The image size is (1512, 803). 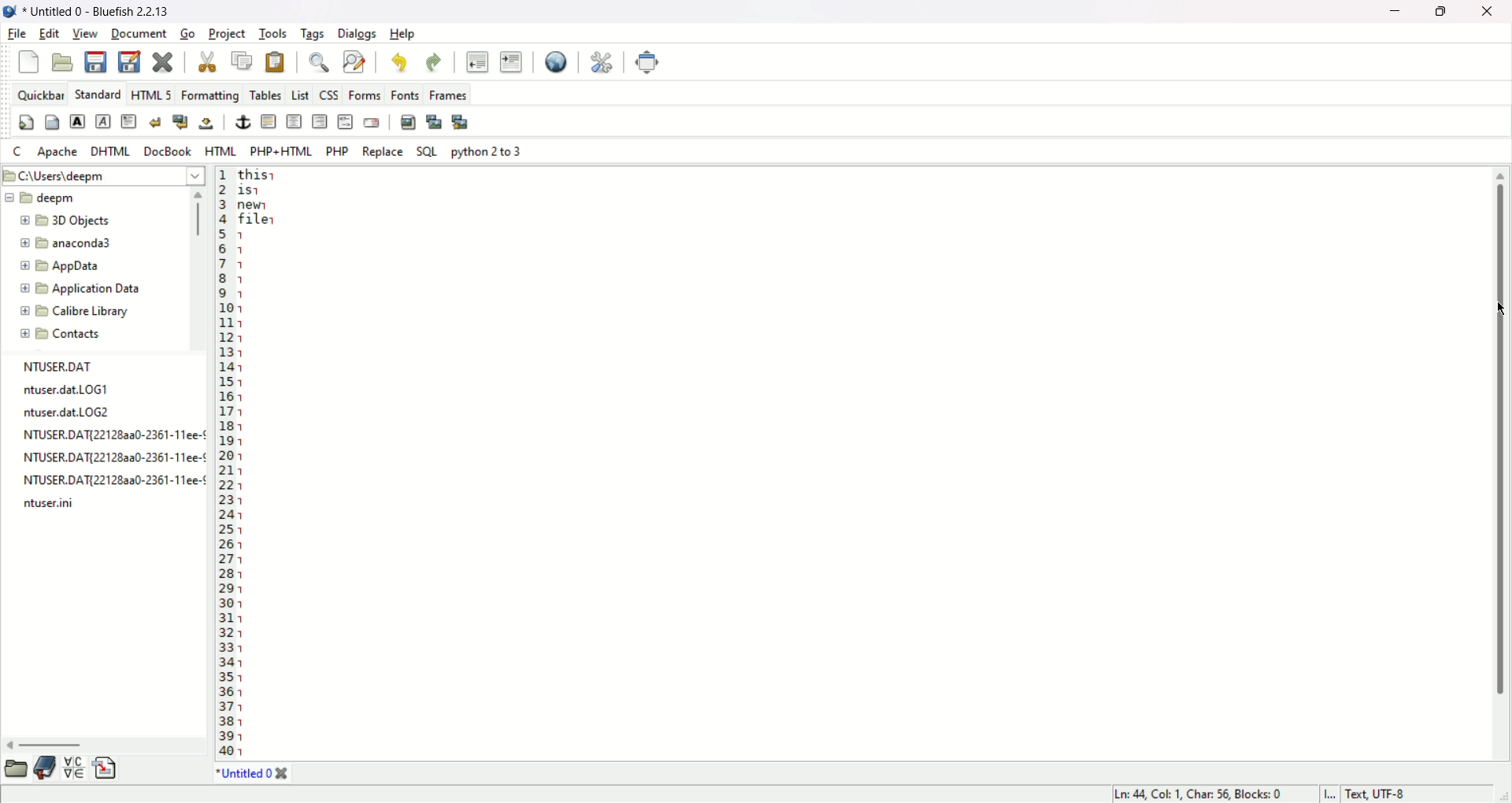 What do you see at coordinates (372, 122) in the screenshot?
I see `email` at bounding box center [372, 122].